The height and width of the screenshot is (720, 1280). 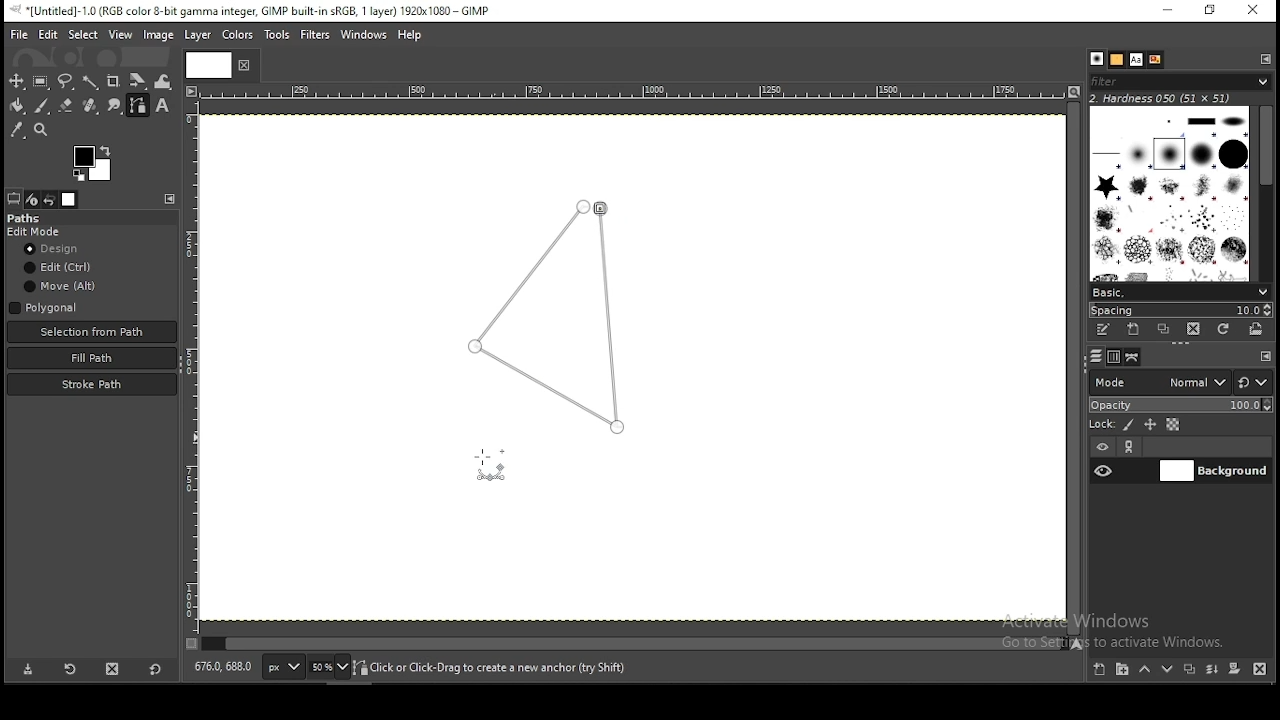 What do you see at coordinates (1102, 423) in the screenshot?
I see `lock` at bounding box center [1102, 423].